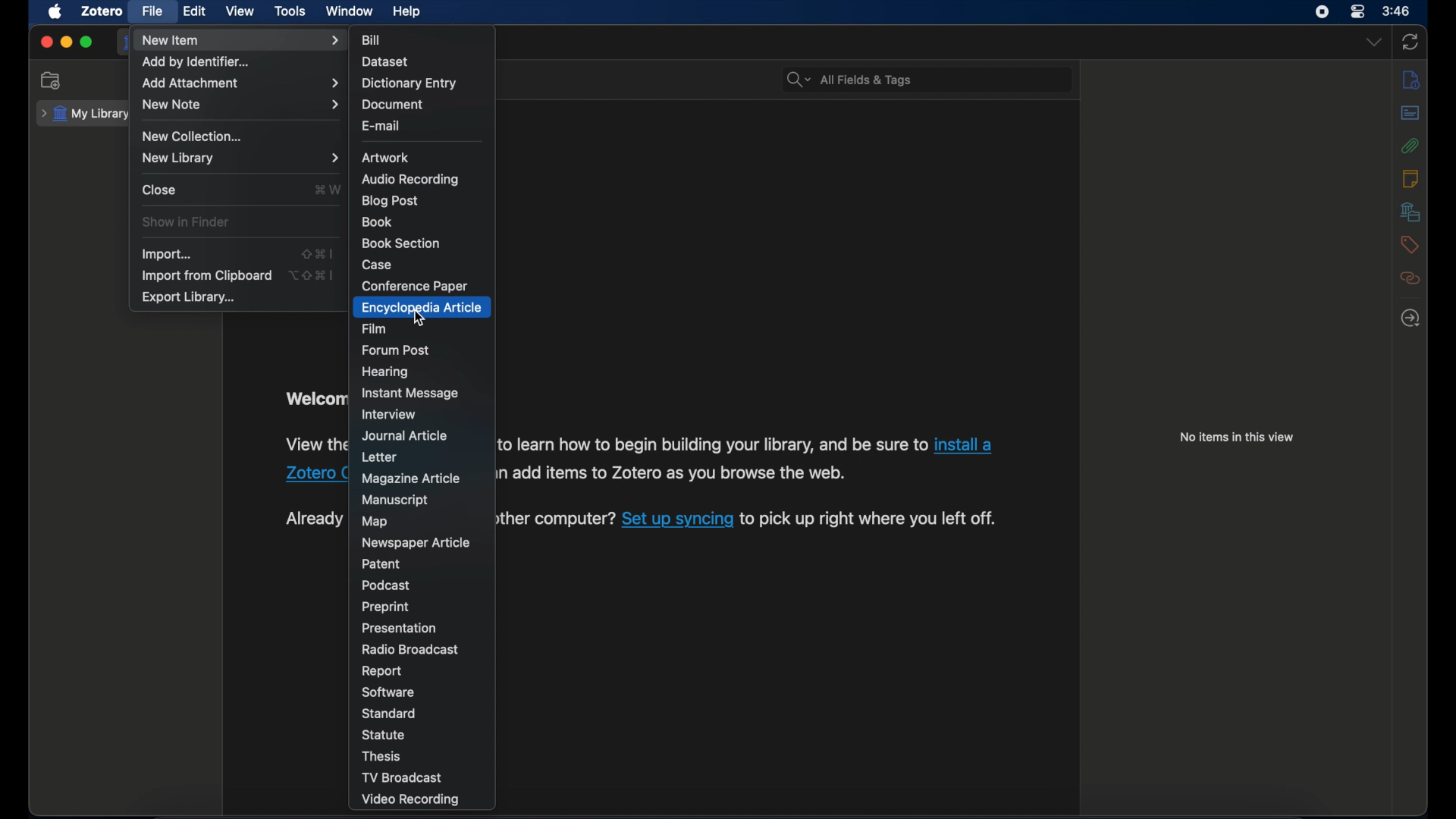 The image size is (1456, 819). What do you see at coordinates (88, 114) in the screenshot?
I see `my library` at bounding box center [88, 114].